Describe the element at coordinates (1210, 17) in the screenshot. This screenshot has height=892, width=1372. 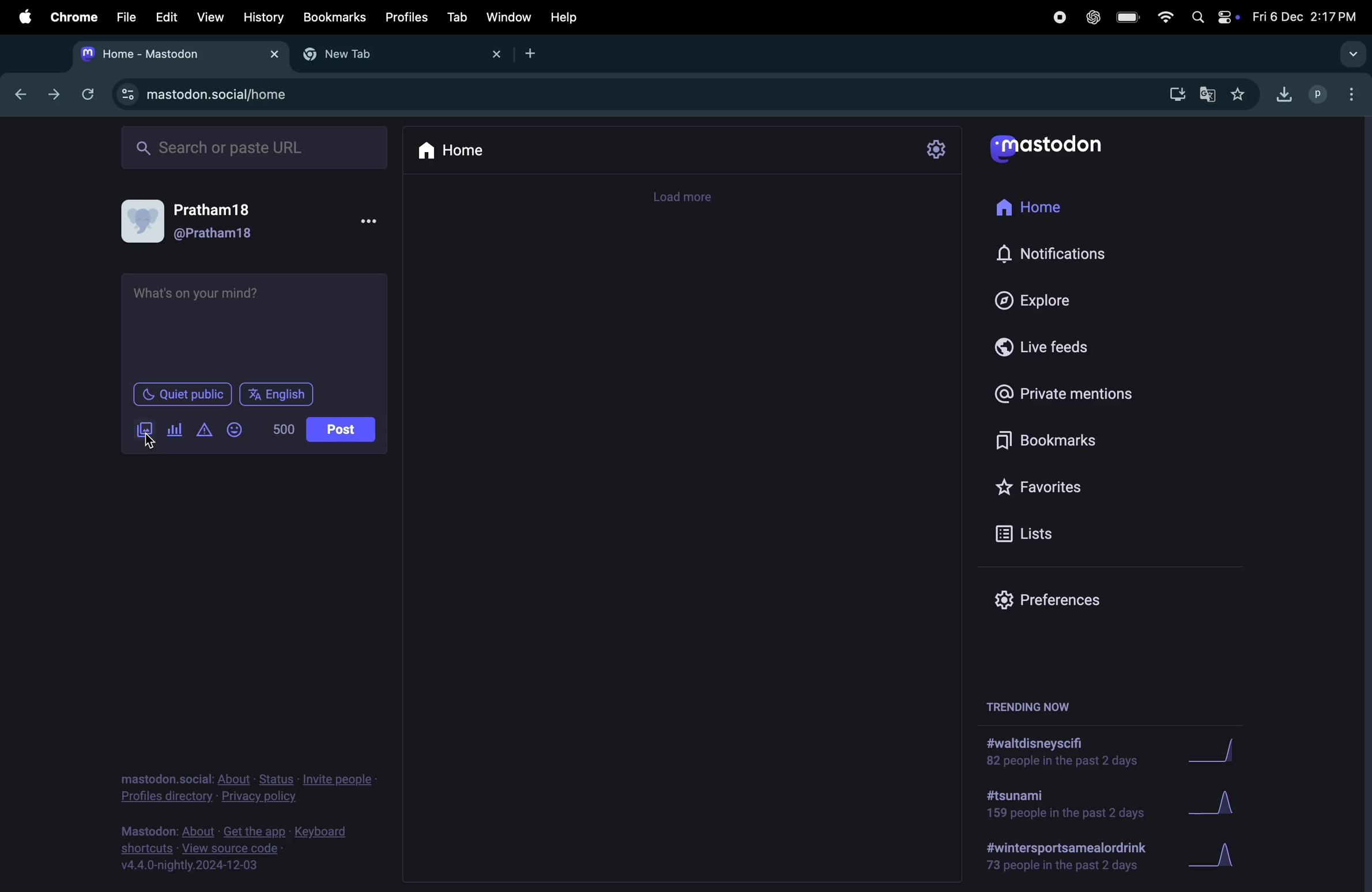
I see `apple widgets` at that location.